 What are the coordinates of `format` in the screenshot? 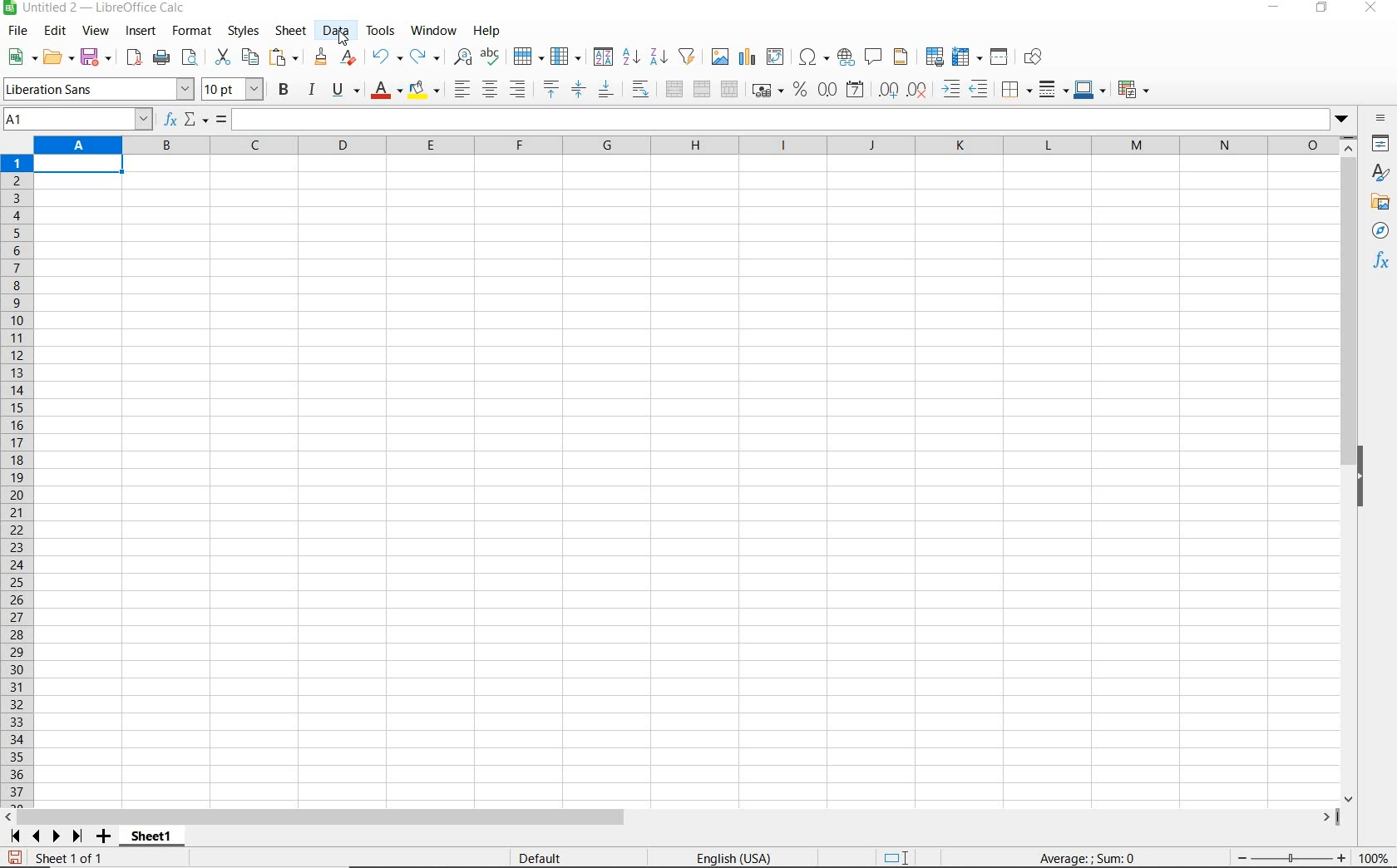 It's located at (190, 31).